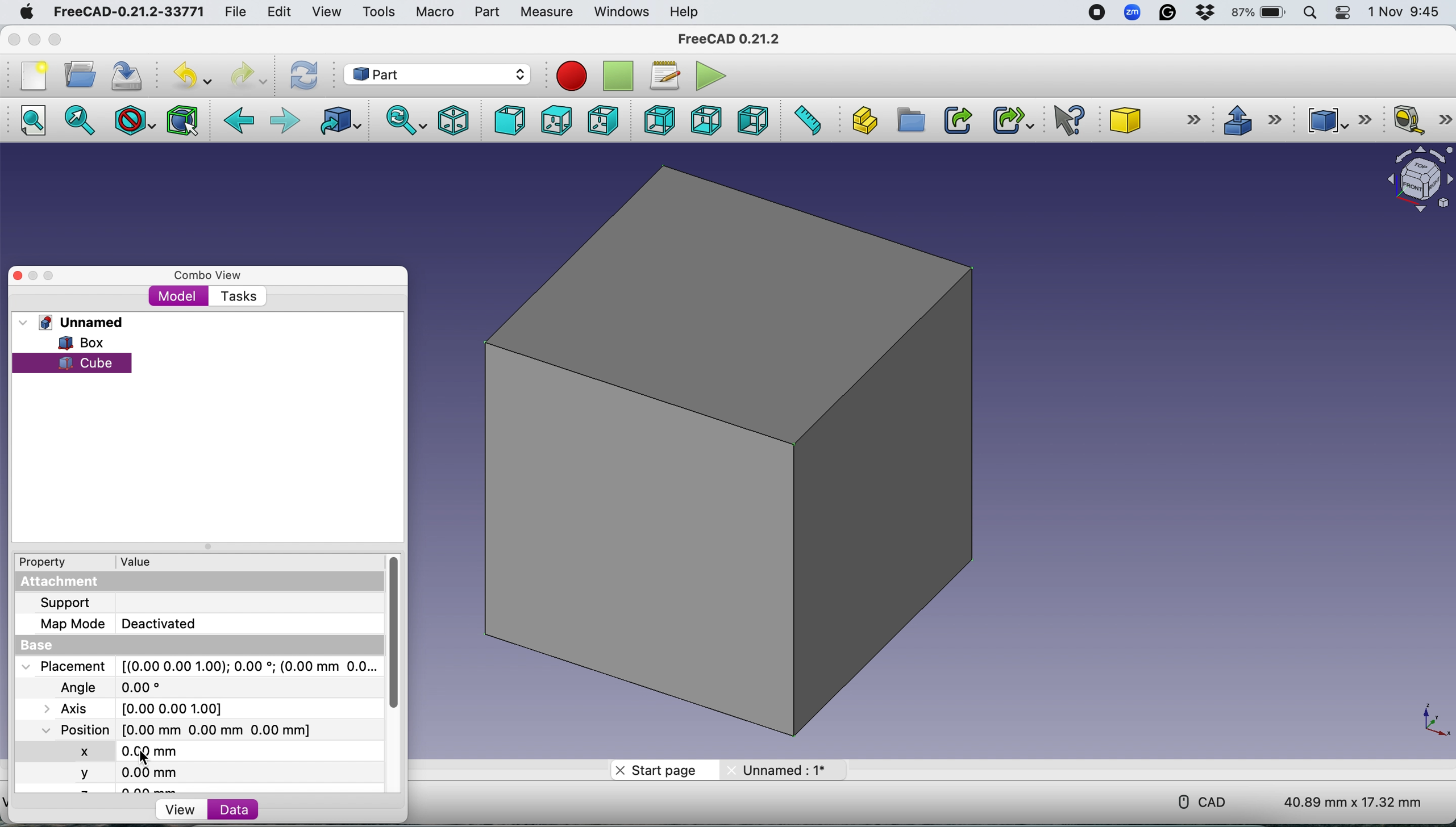 This screenshot has width=1456, height=827. What do you see at coordinates (326, 12) in the screenshot?
I see `View` at bounding box center [326, 12].